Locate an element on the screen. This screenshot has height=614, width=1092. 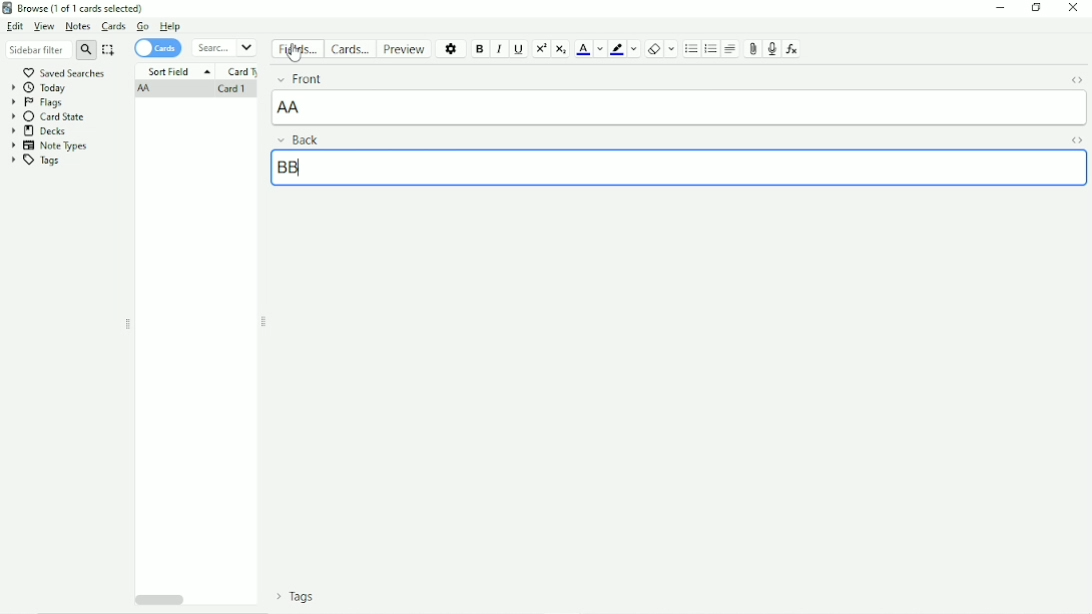
cursor is located at coordinates (295, 53).